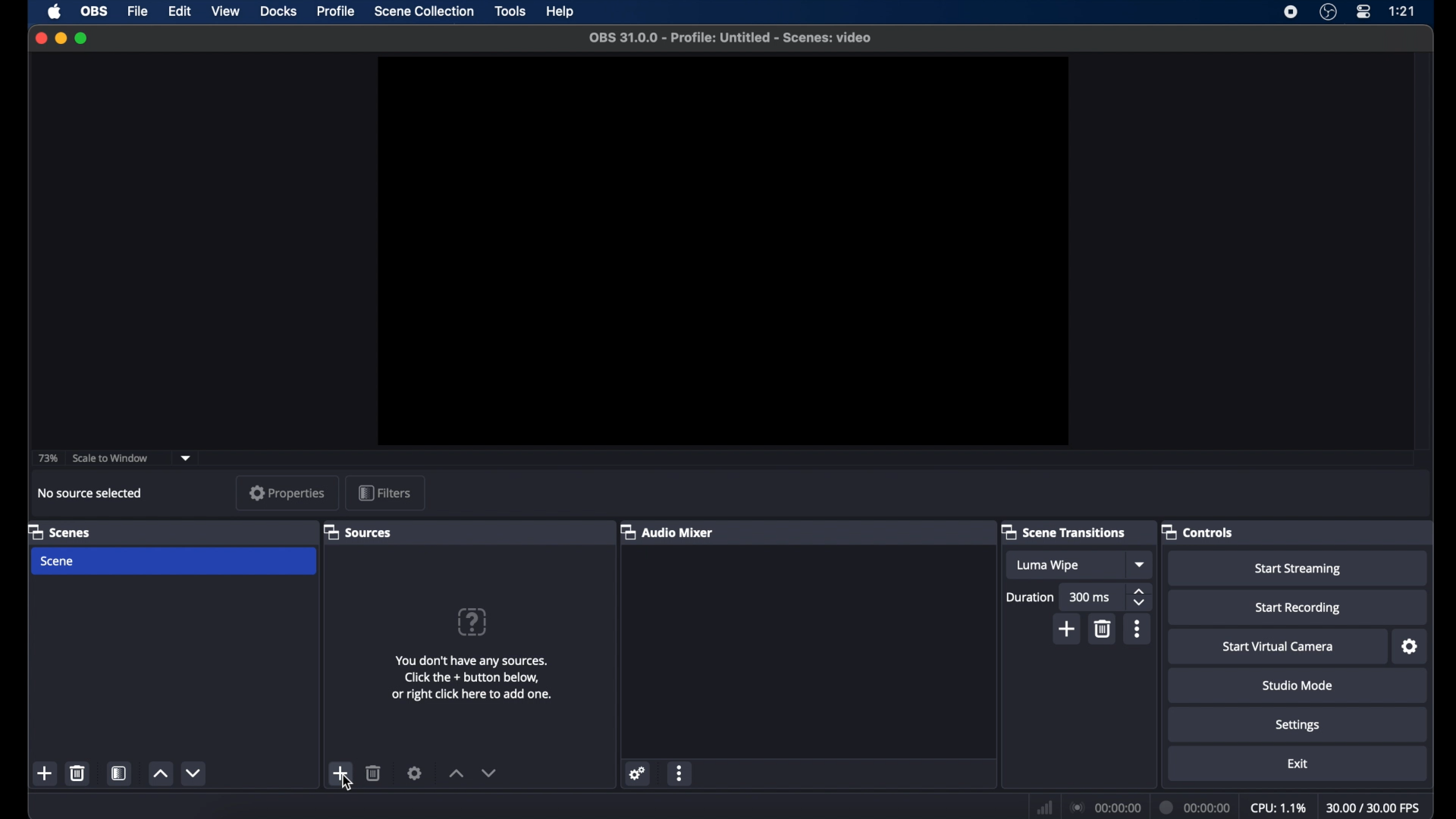 The height and width of the screenshot is (819, 1456). I want to click on dropdown, so click(1141, 564).